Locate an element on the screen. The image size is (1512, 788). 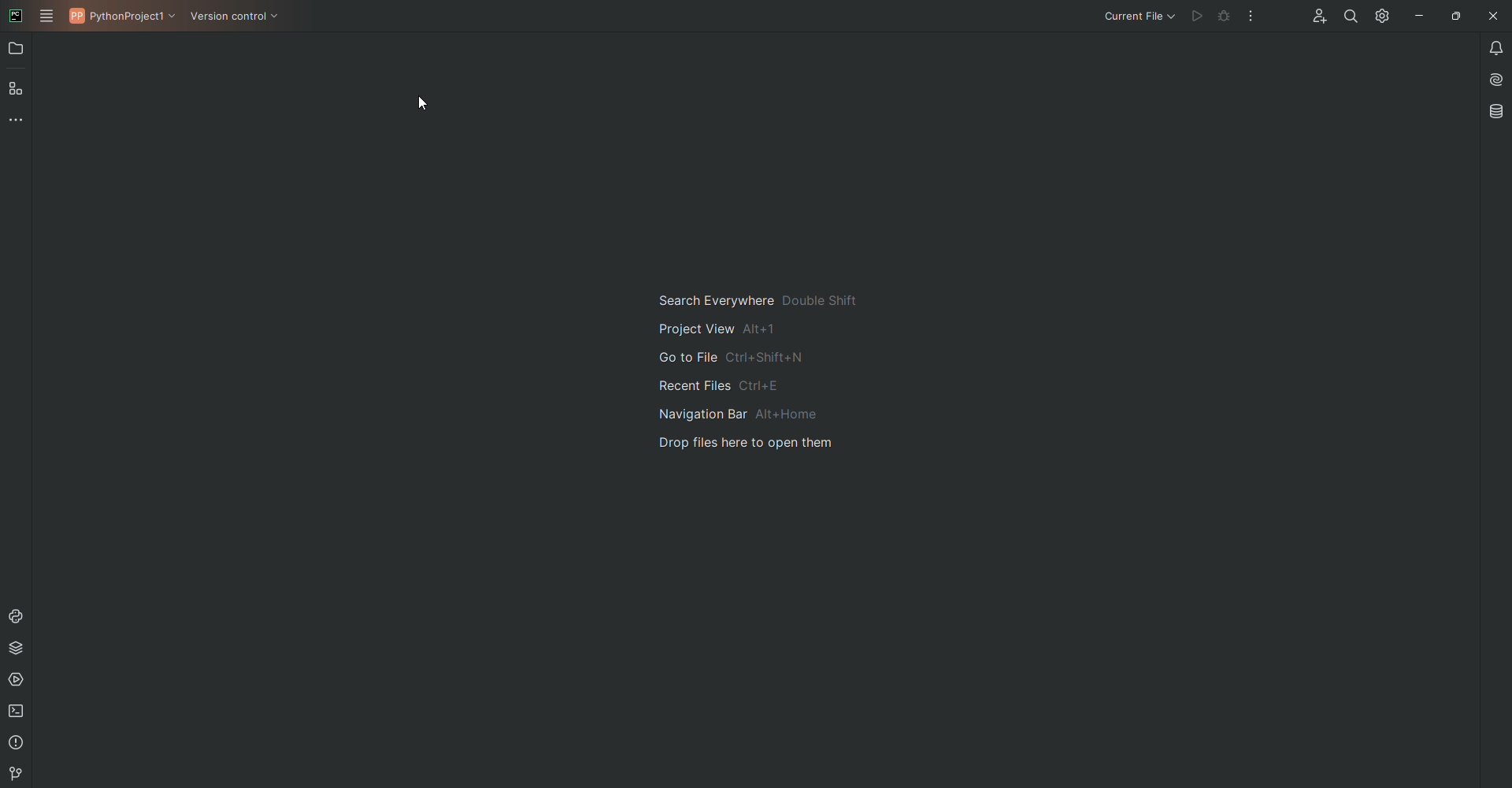
Setings is located at coordinates (1380, 16).